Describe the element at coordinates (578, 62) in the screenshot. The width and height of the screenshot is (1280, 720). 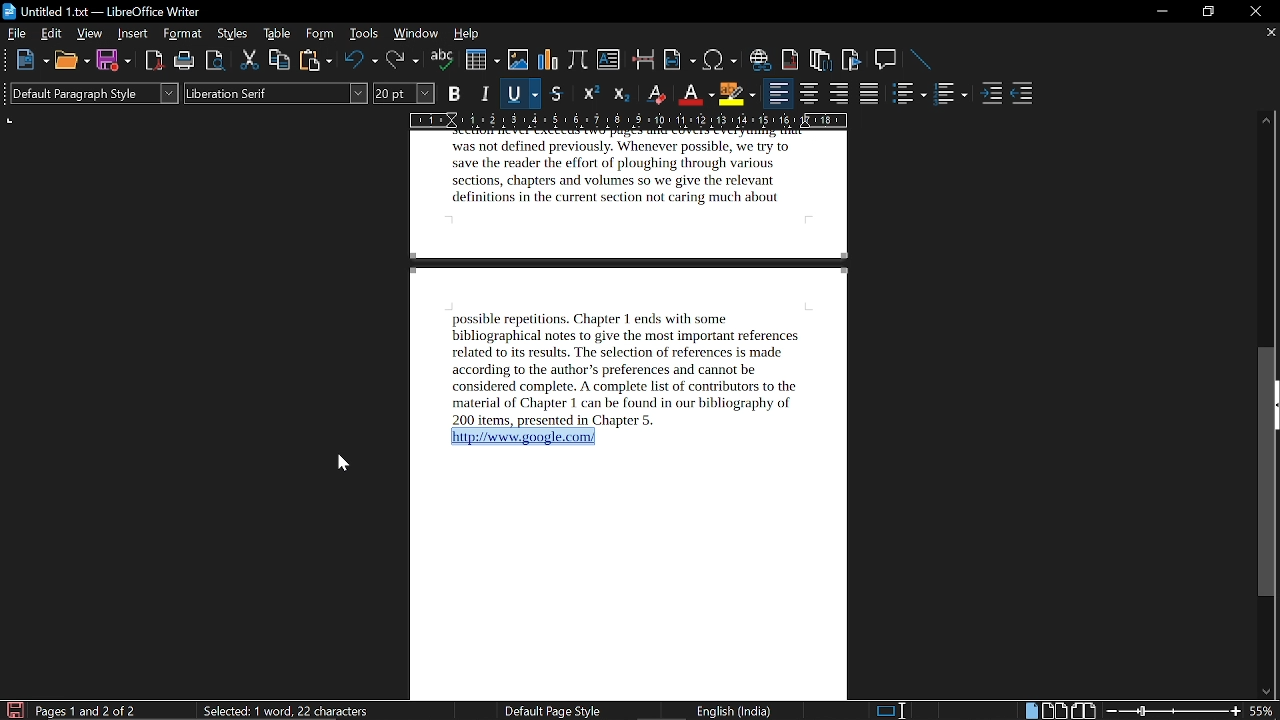
I see `insert formula` at that location.